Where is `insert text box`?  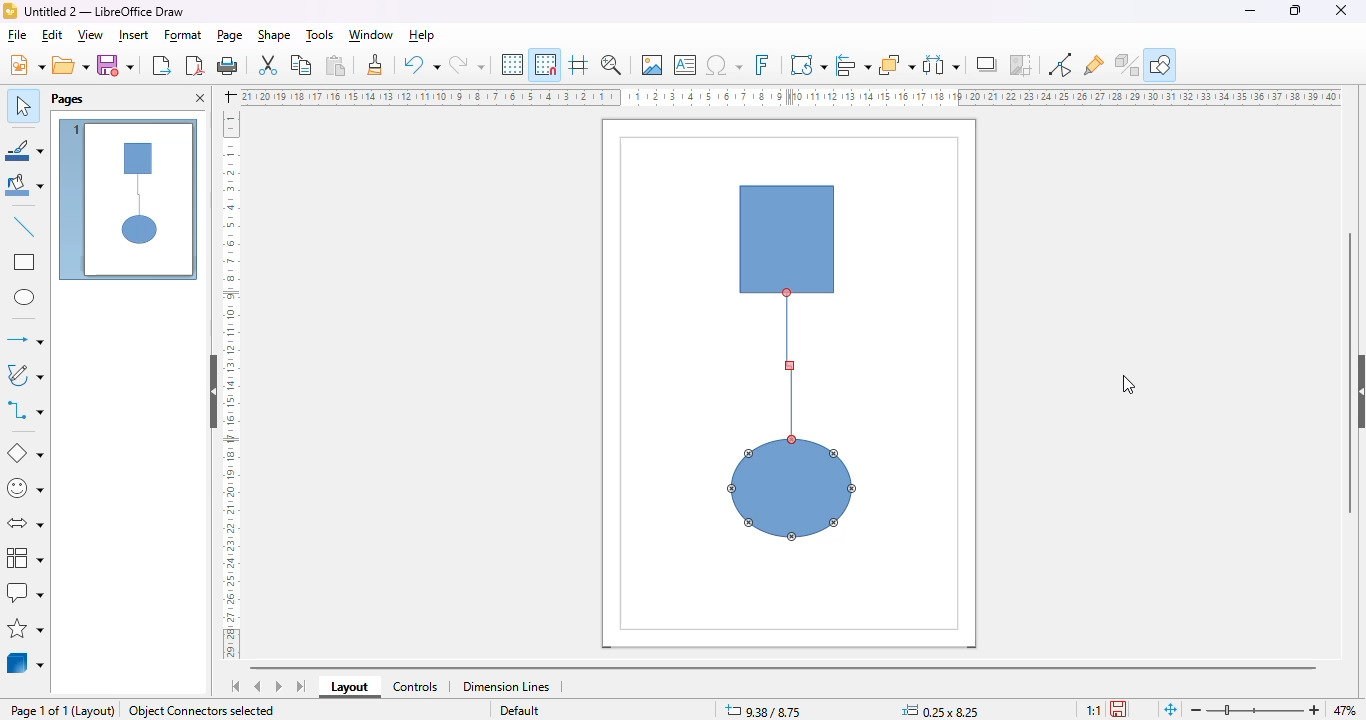
insert text box is located at coordinates (685, 64).